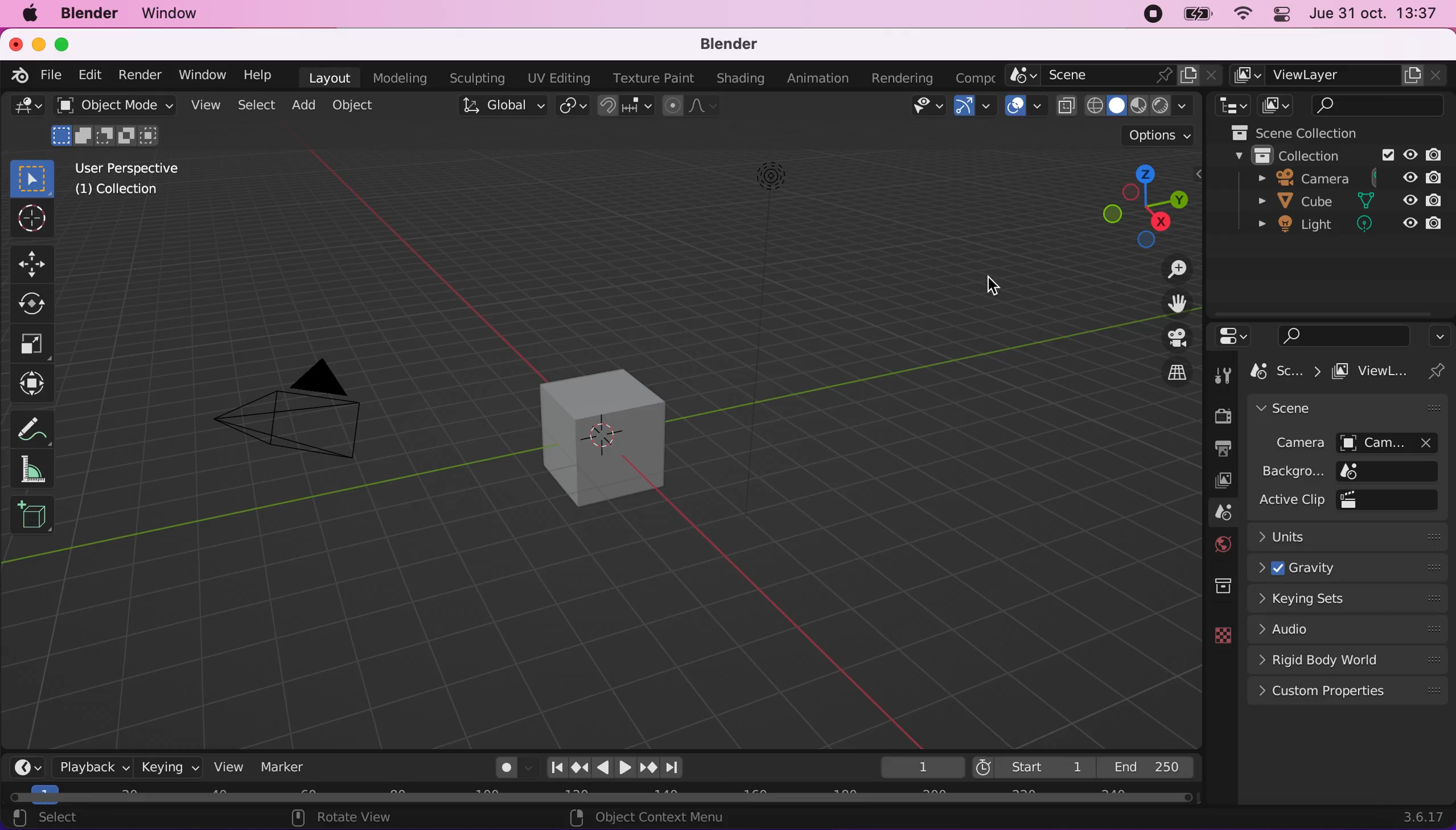 The width and height of the screenshot is (1456, 830). I want to click on collection, so click(1340, 153).